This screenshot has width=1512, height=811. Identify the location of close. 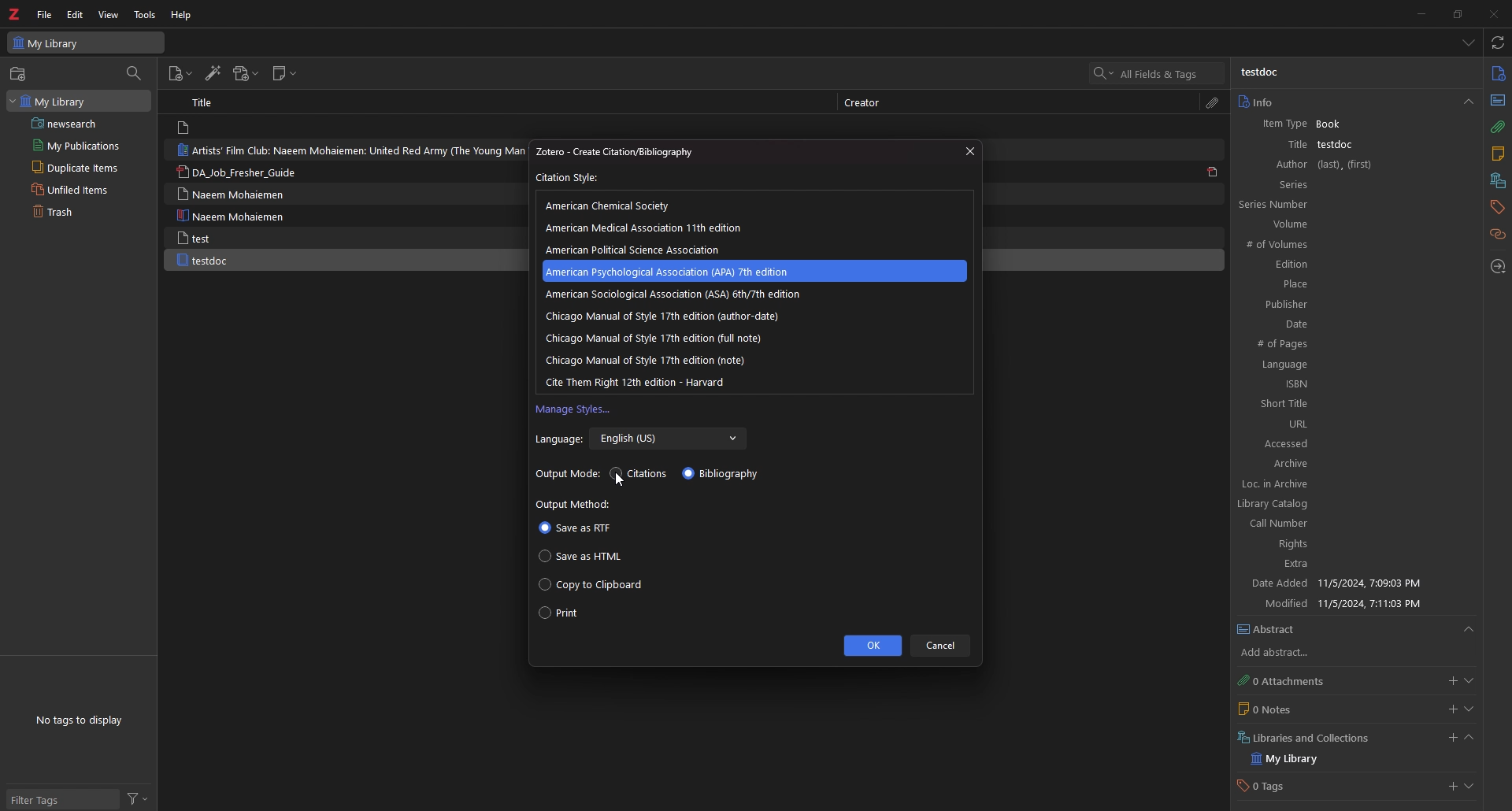
(1492, 13).